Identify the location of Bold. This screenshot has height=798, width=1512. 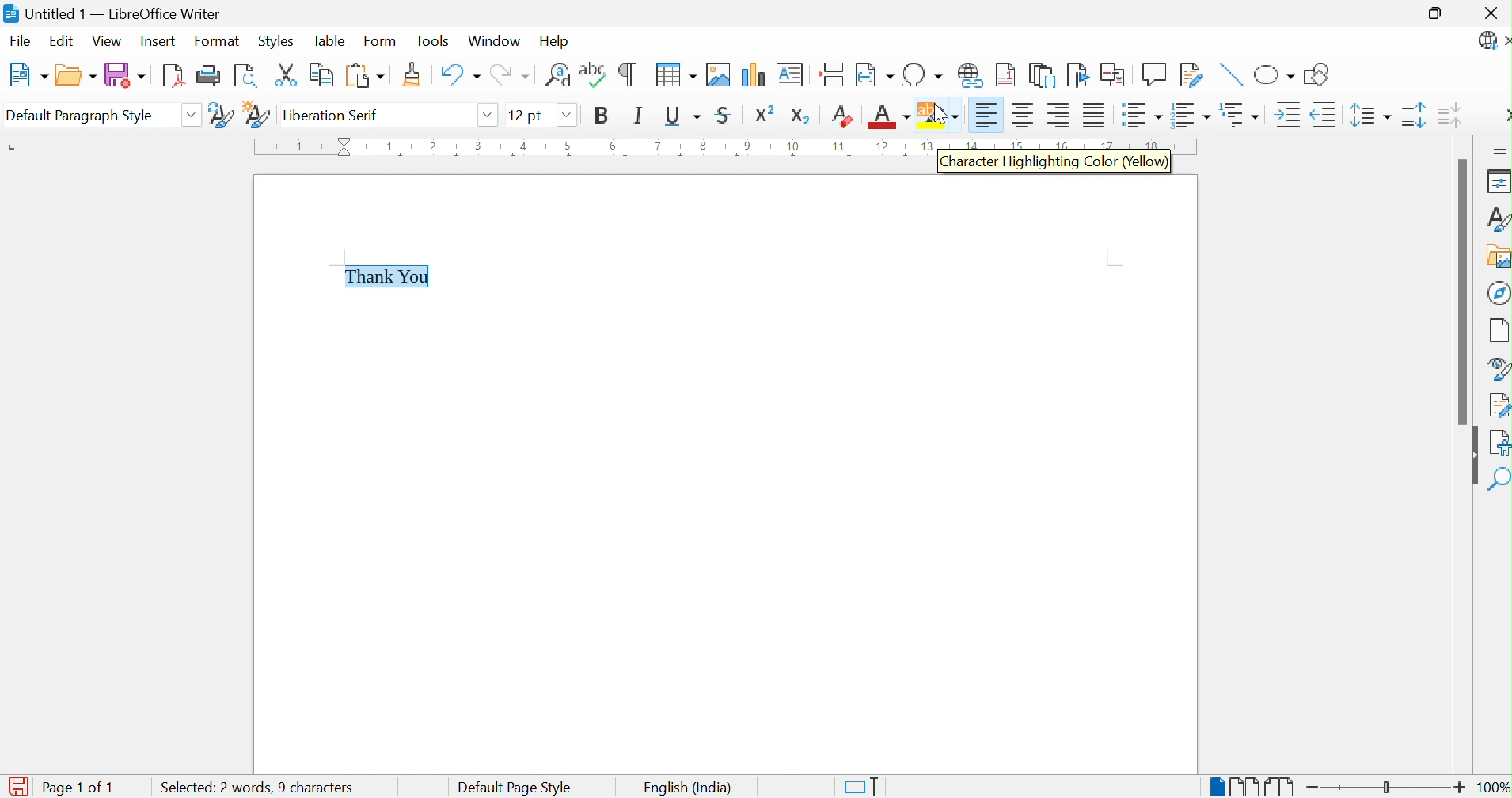
(602, 113).